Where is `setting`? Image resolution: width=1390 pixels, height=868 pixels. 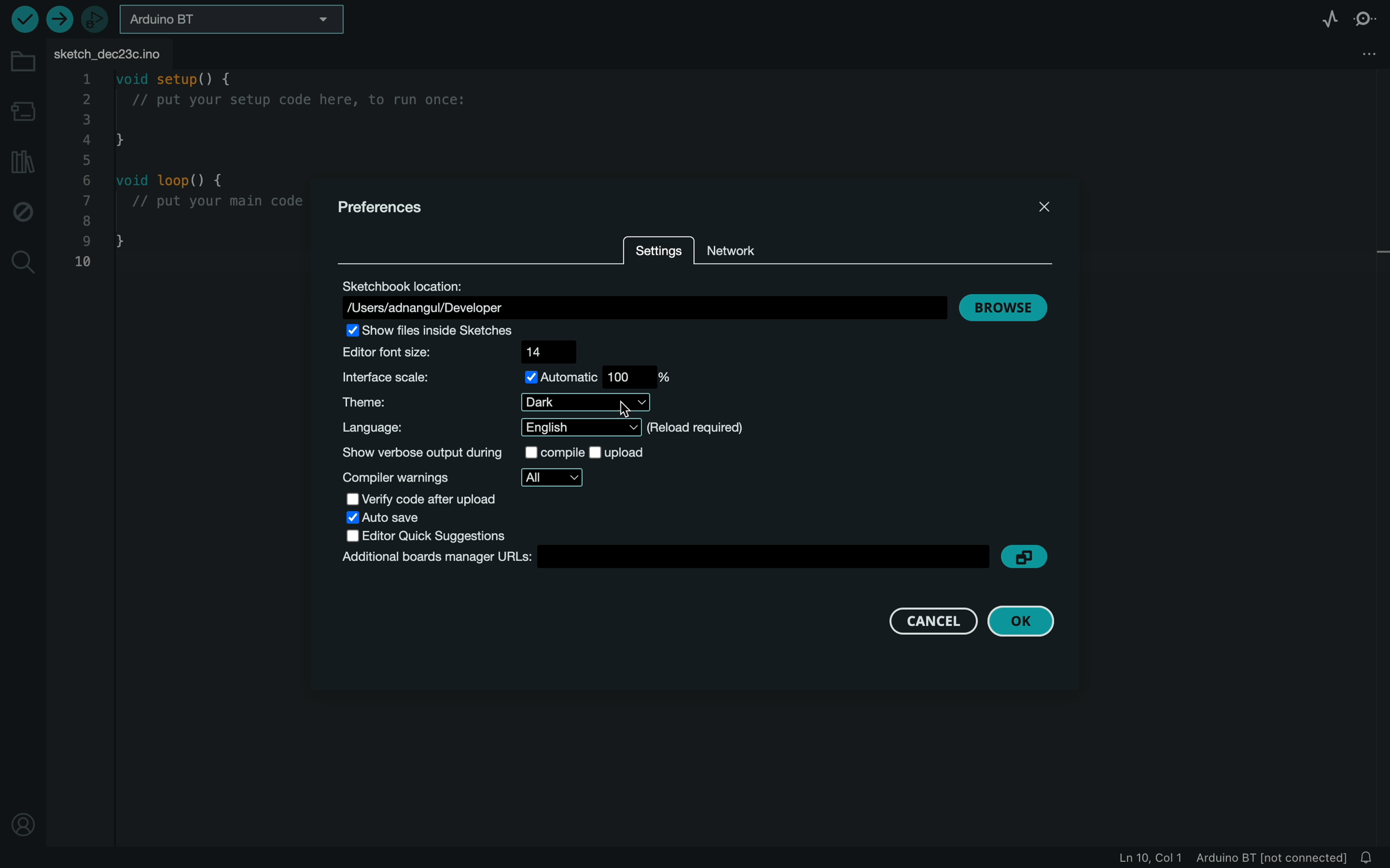
setting is located at coordinates (660, 256).